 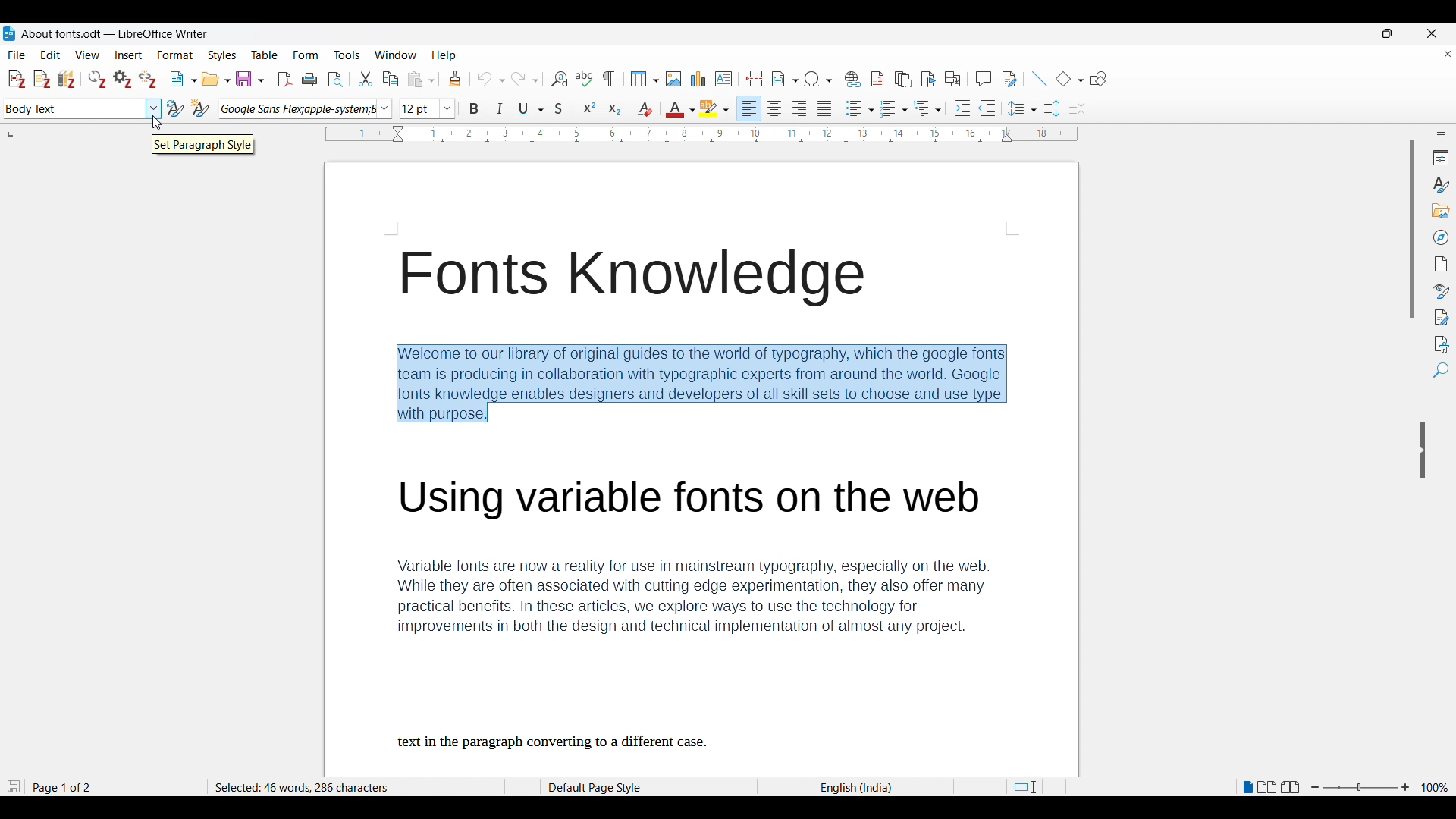 What do you see at coordinates (444, 56) in the screenshot?
I see `Help menu` at bounding box center [444, 56].